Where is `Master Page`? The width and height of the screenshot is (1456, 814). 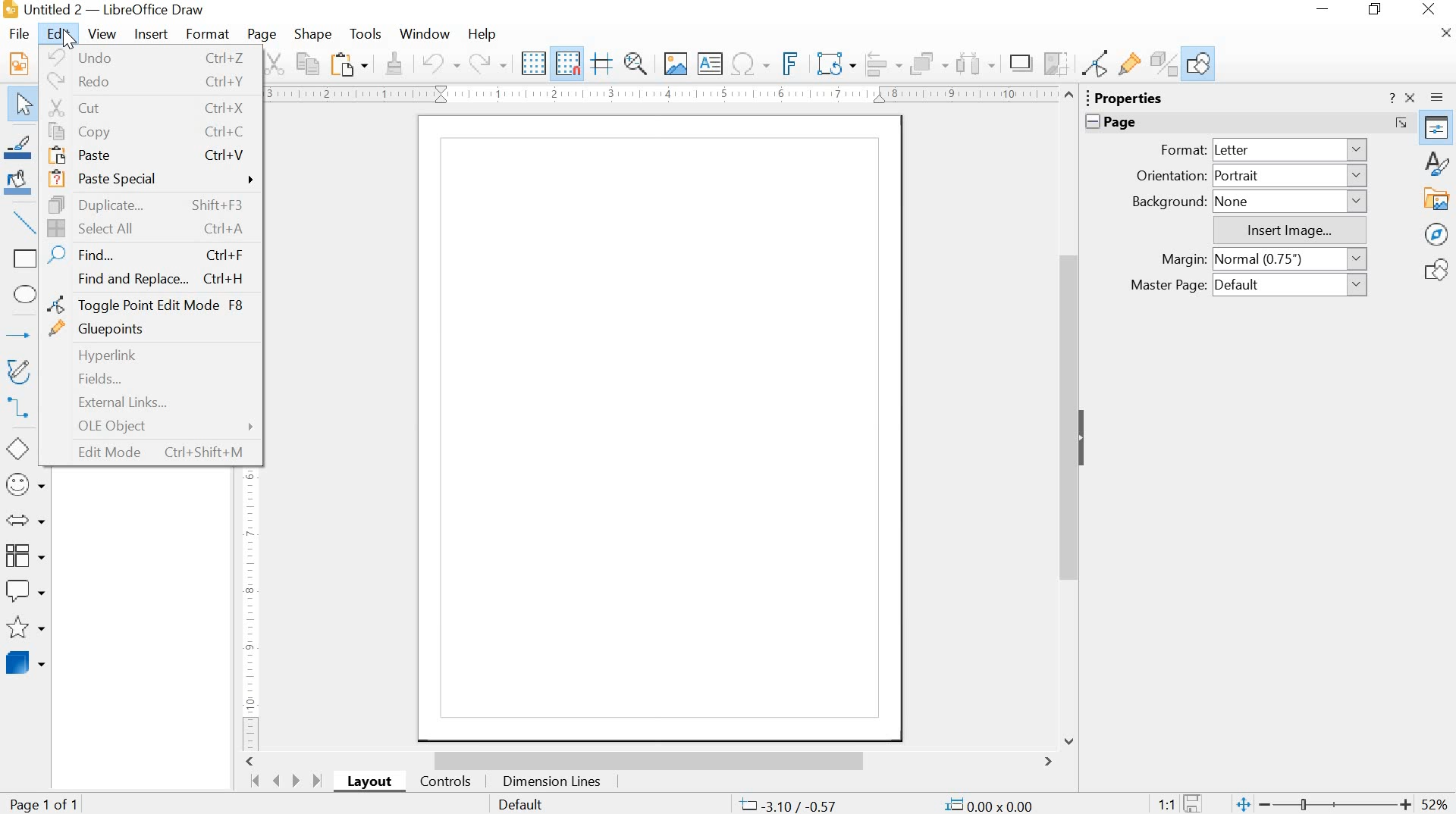
Master Page is located at coordinates (1172, 286).